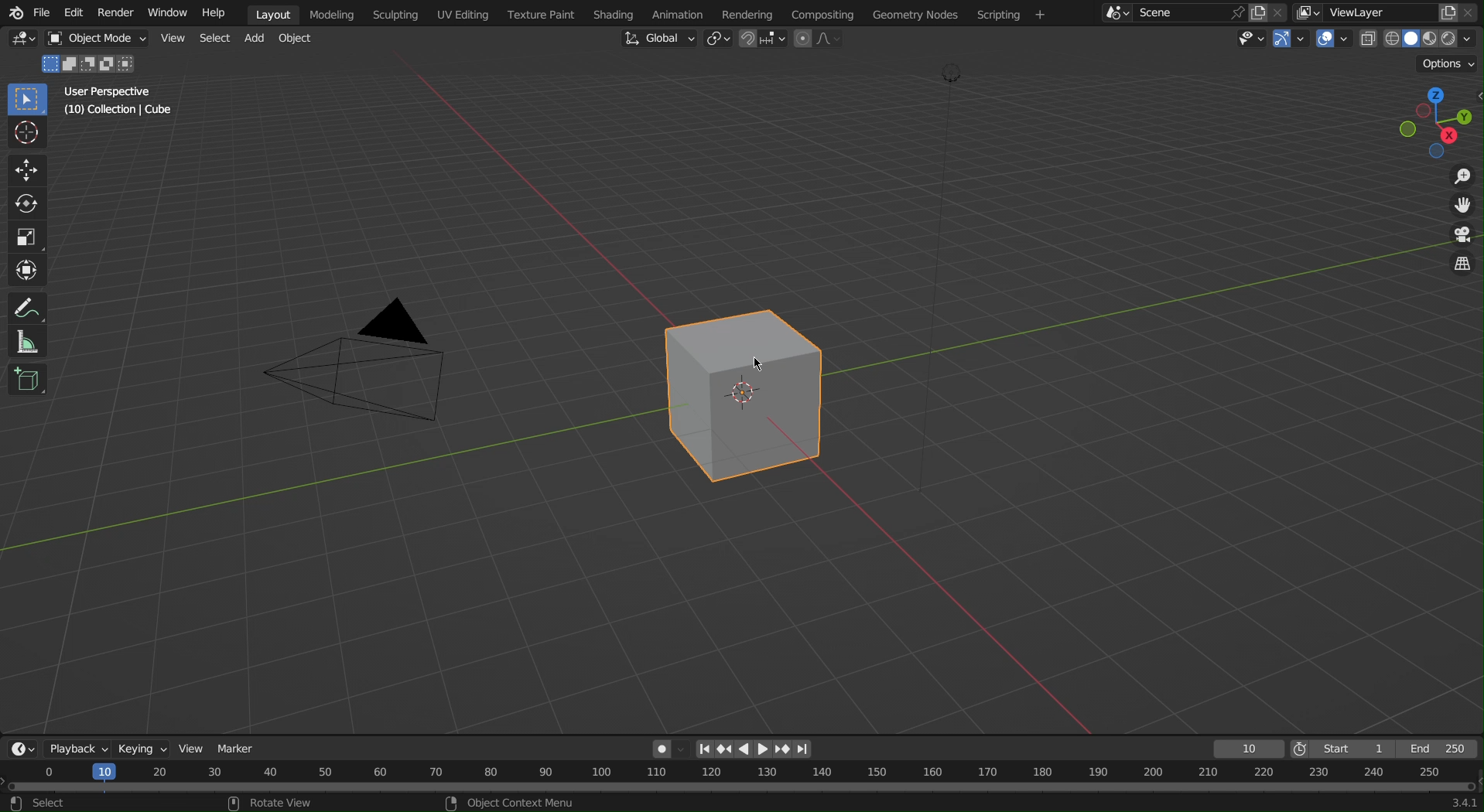  I want to click on Edit, so click(70, 12).